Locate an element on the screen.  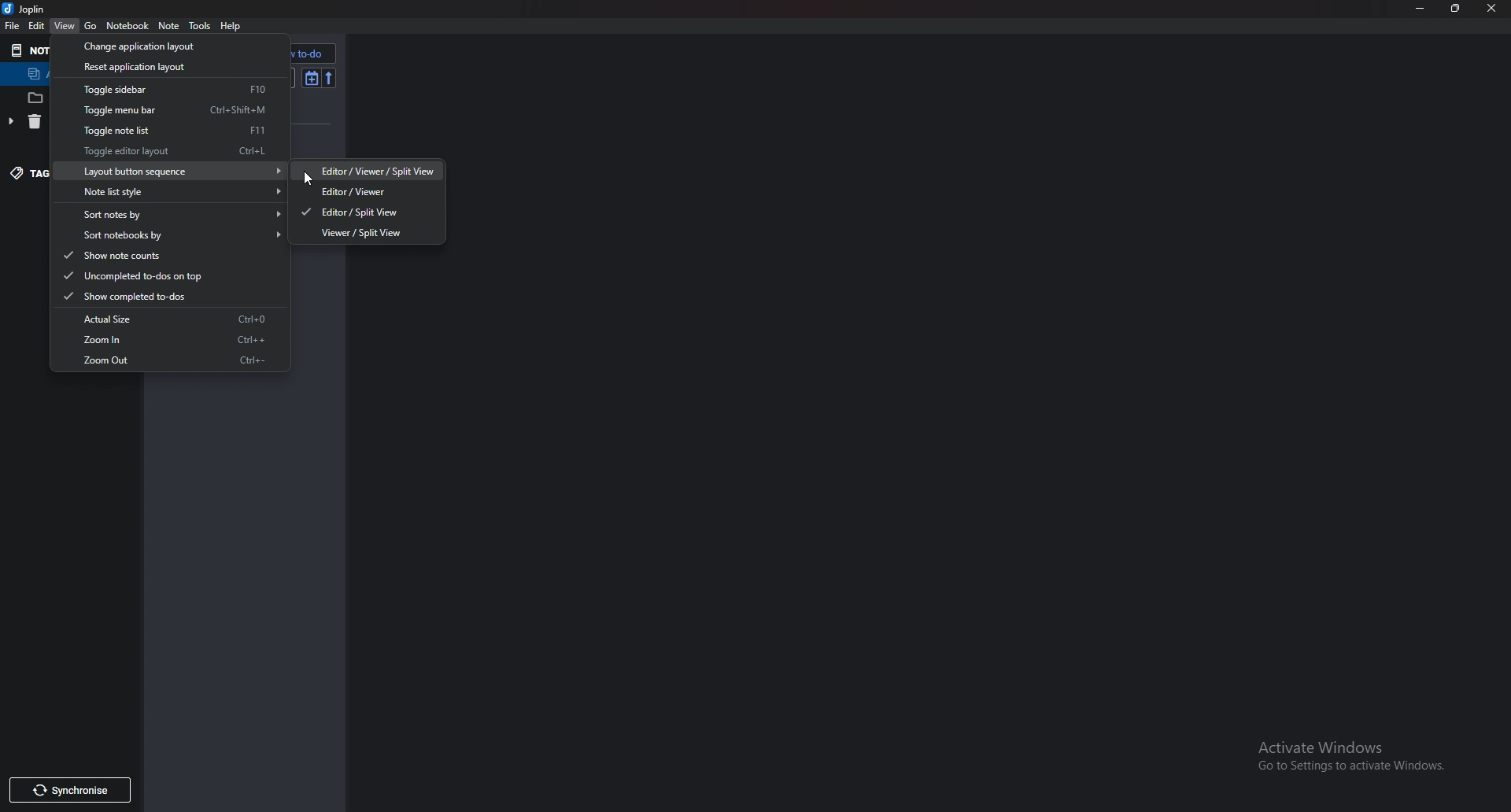
show note counts is located at coordinates (161, 255).